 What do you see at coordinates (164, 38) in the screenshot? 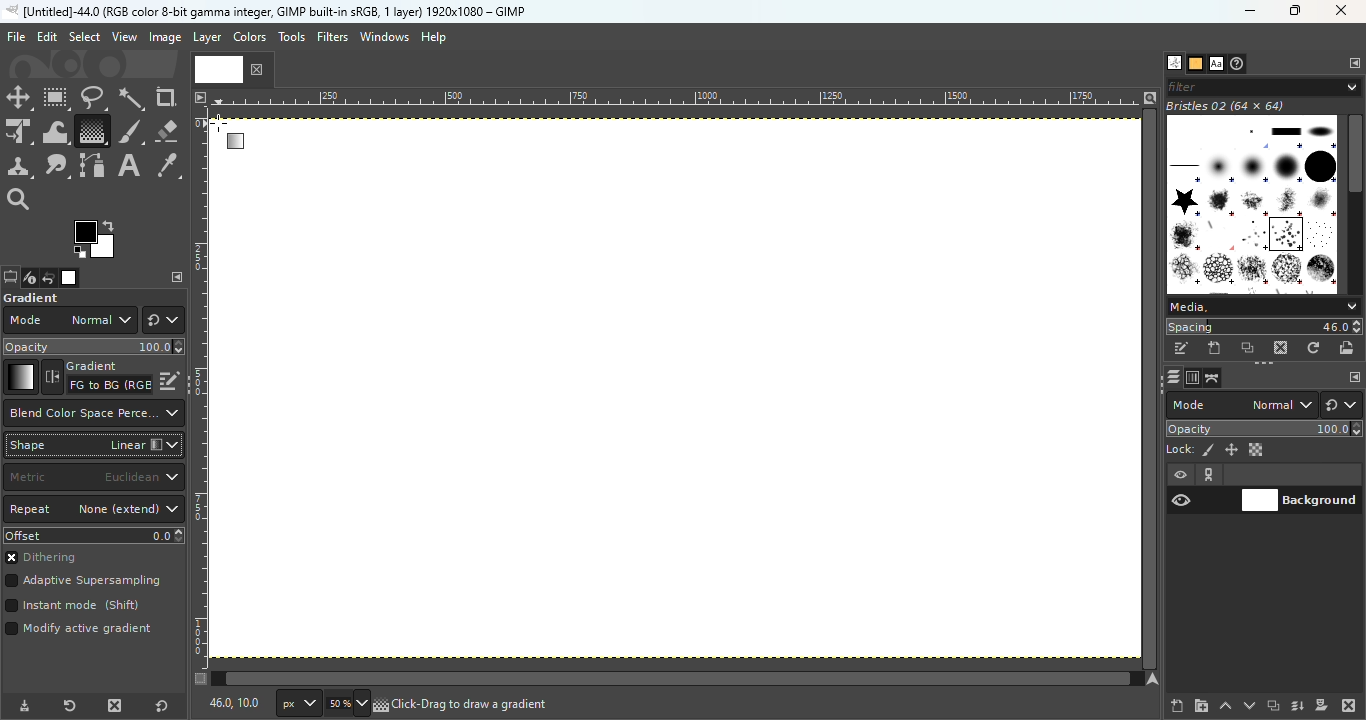
I see `Image` at bounding box center [164, 38].